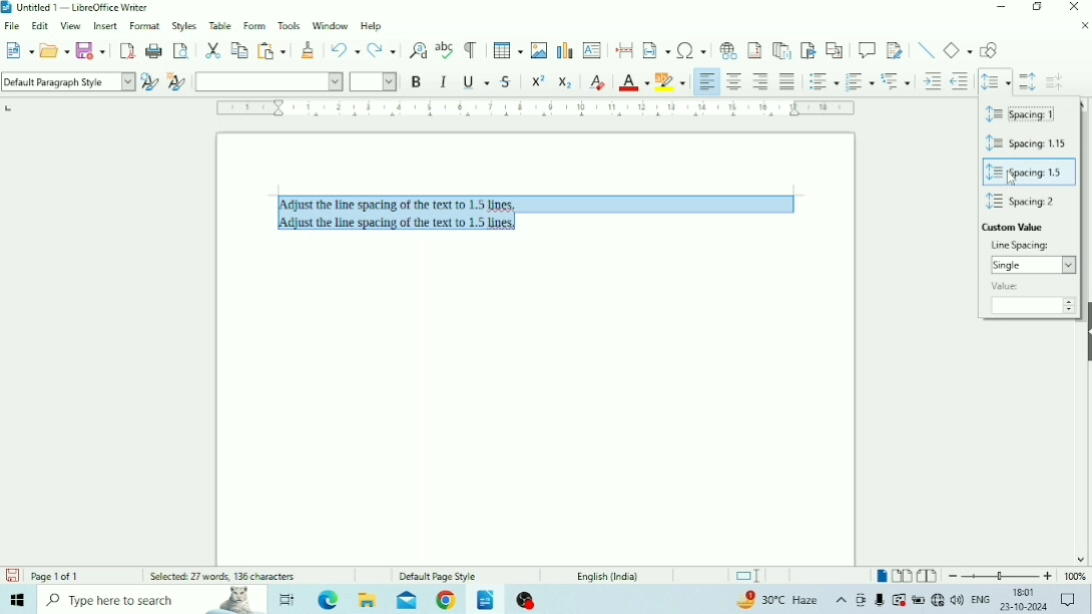 The width and height of the screenshot is (1092, 614). What do you see at coordinates (981, 599) in the screenshot?
I see `Language` at bounding box center [981, 599].